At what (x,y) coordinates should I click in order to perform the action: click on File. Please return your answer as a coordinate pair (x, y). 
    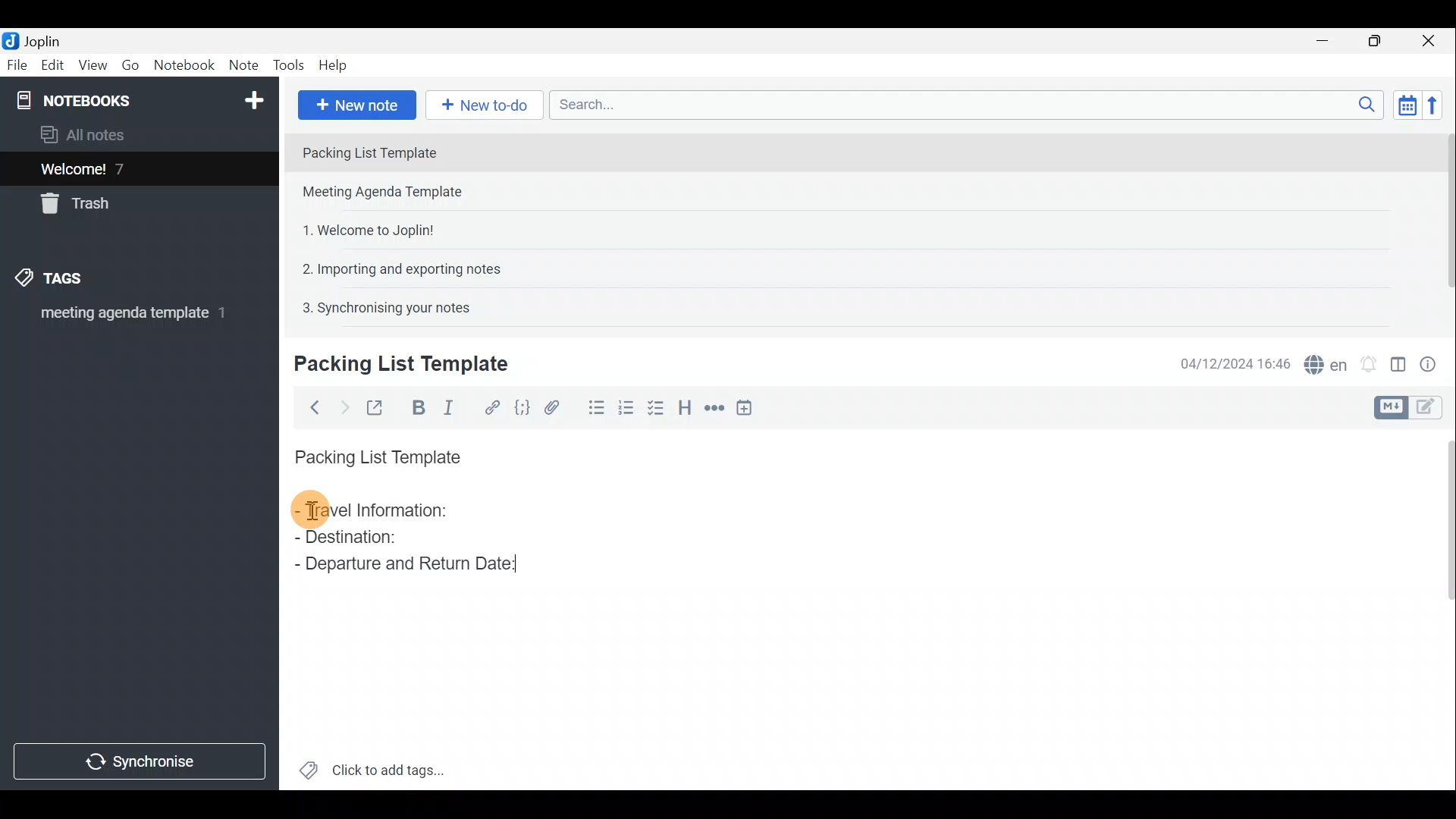
    Looking at the image, I should click on (15, 64).